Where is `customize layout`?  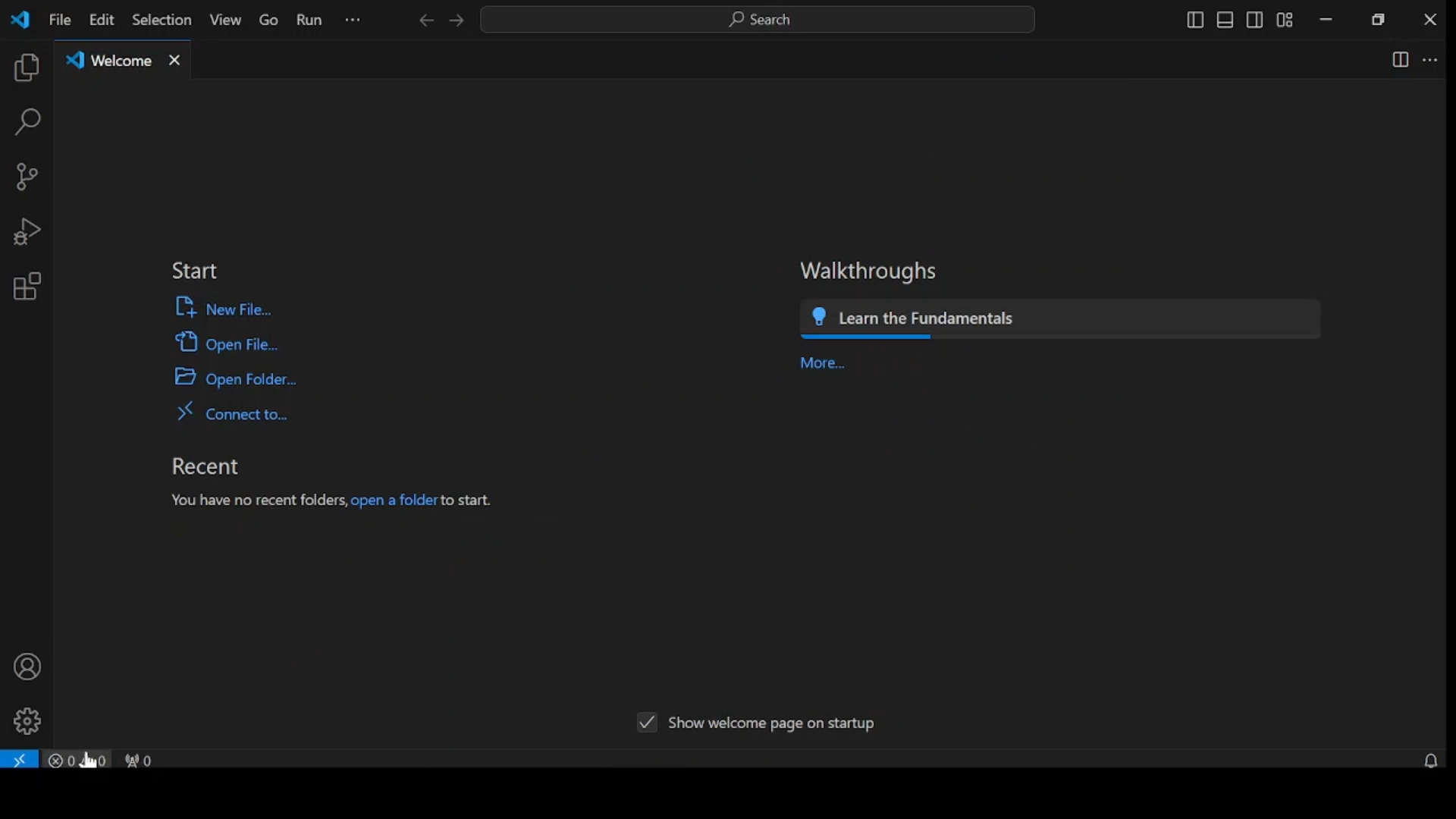 customize layout is located at coordinates (1285, 20).